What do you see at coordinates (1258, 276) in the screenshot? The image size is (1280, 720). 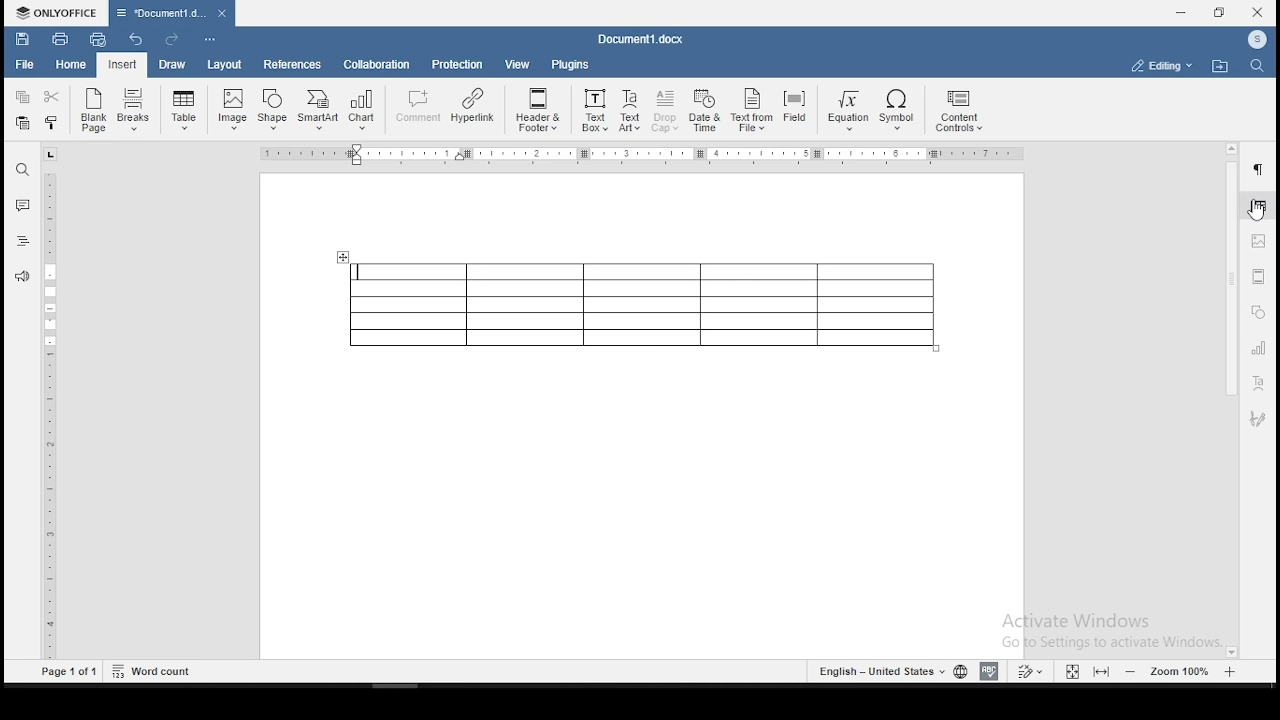 I see `headers & footers` at bounding box center [1258, 276].